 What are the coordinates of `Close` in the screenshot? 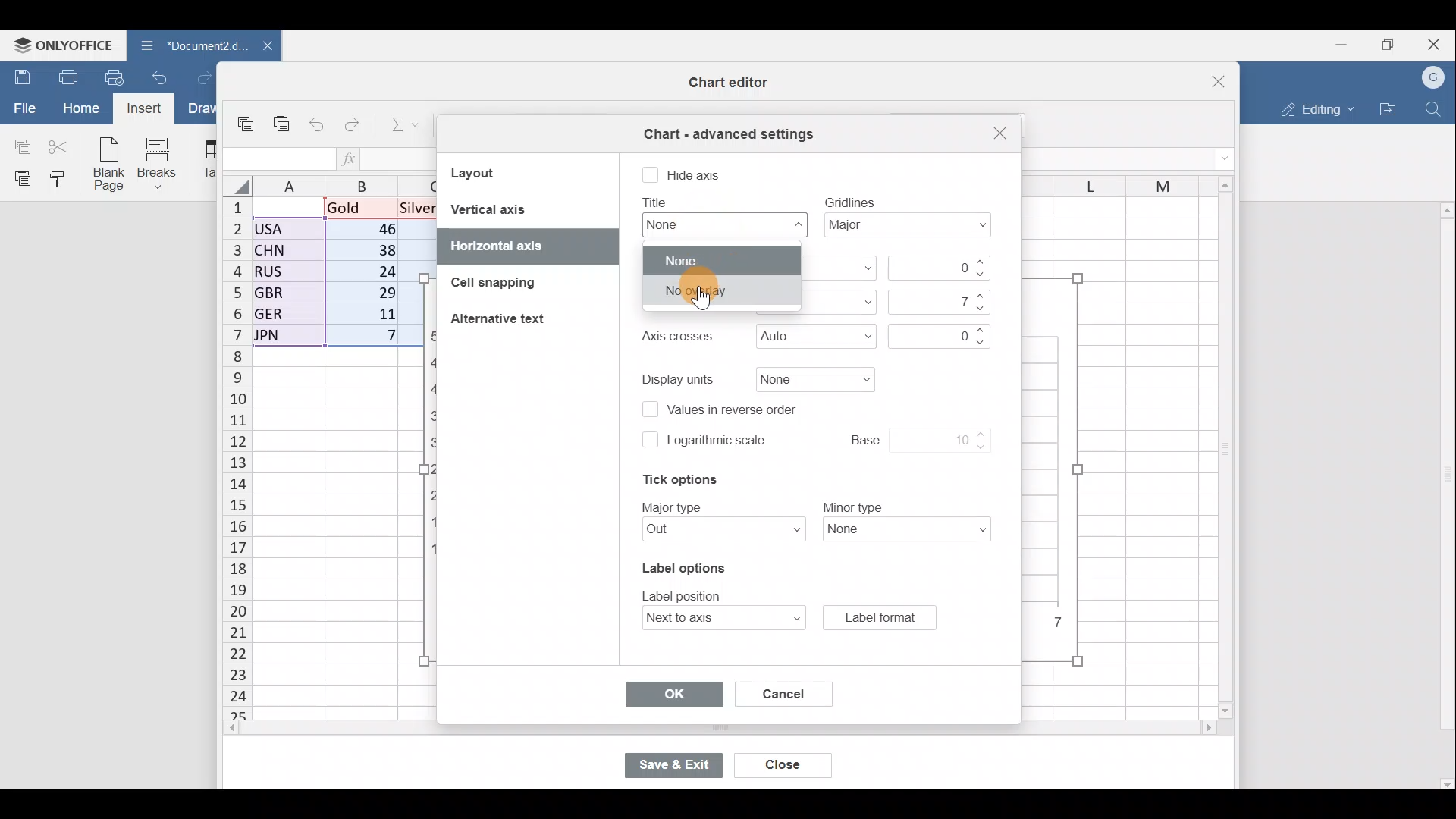 It's located at (997, 133).